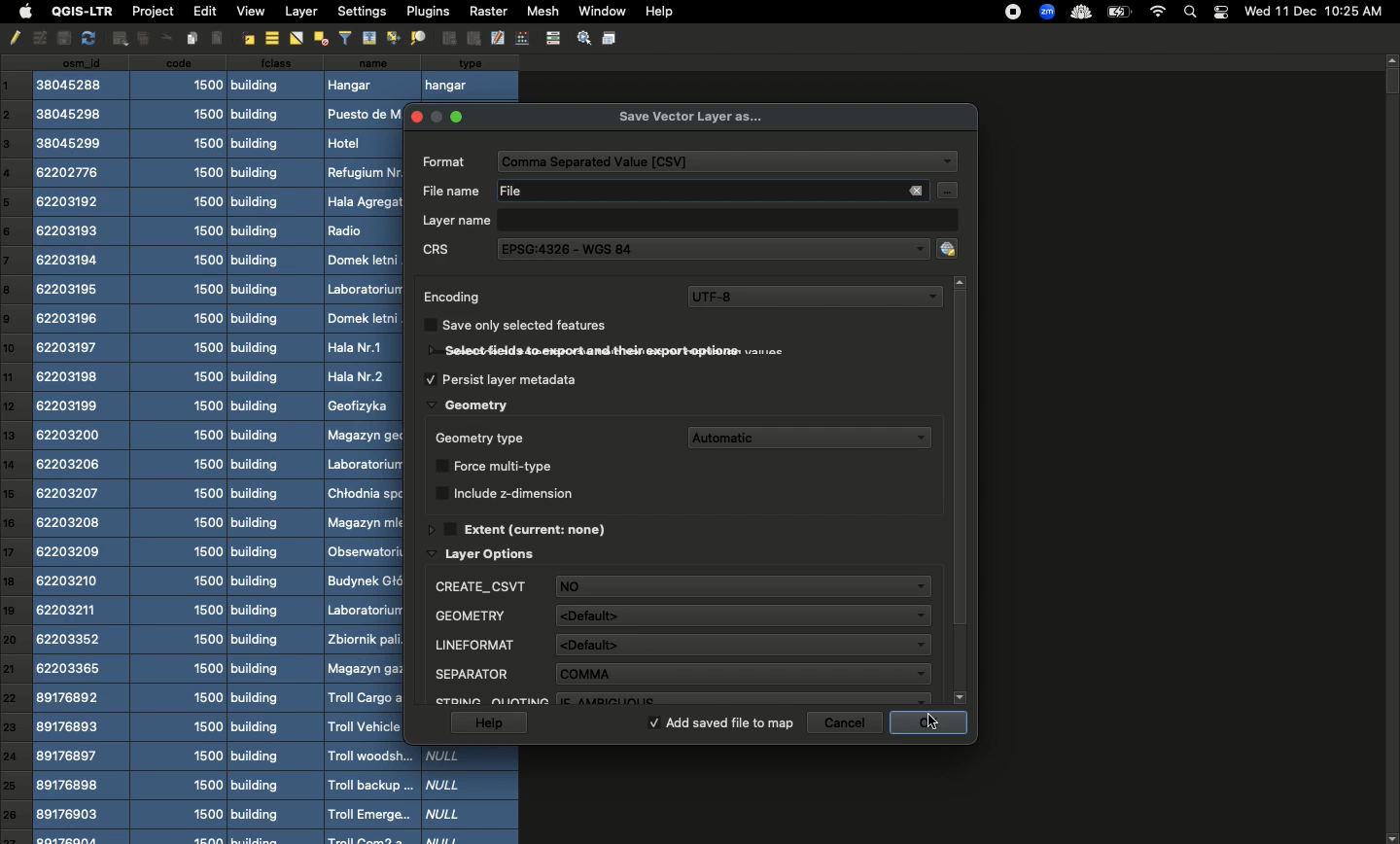 This screenshot has height=844, width=1400. Describe the element at coordinates (680, 583) in the screenshot. I see `Description` at that location.